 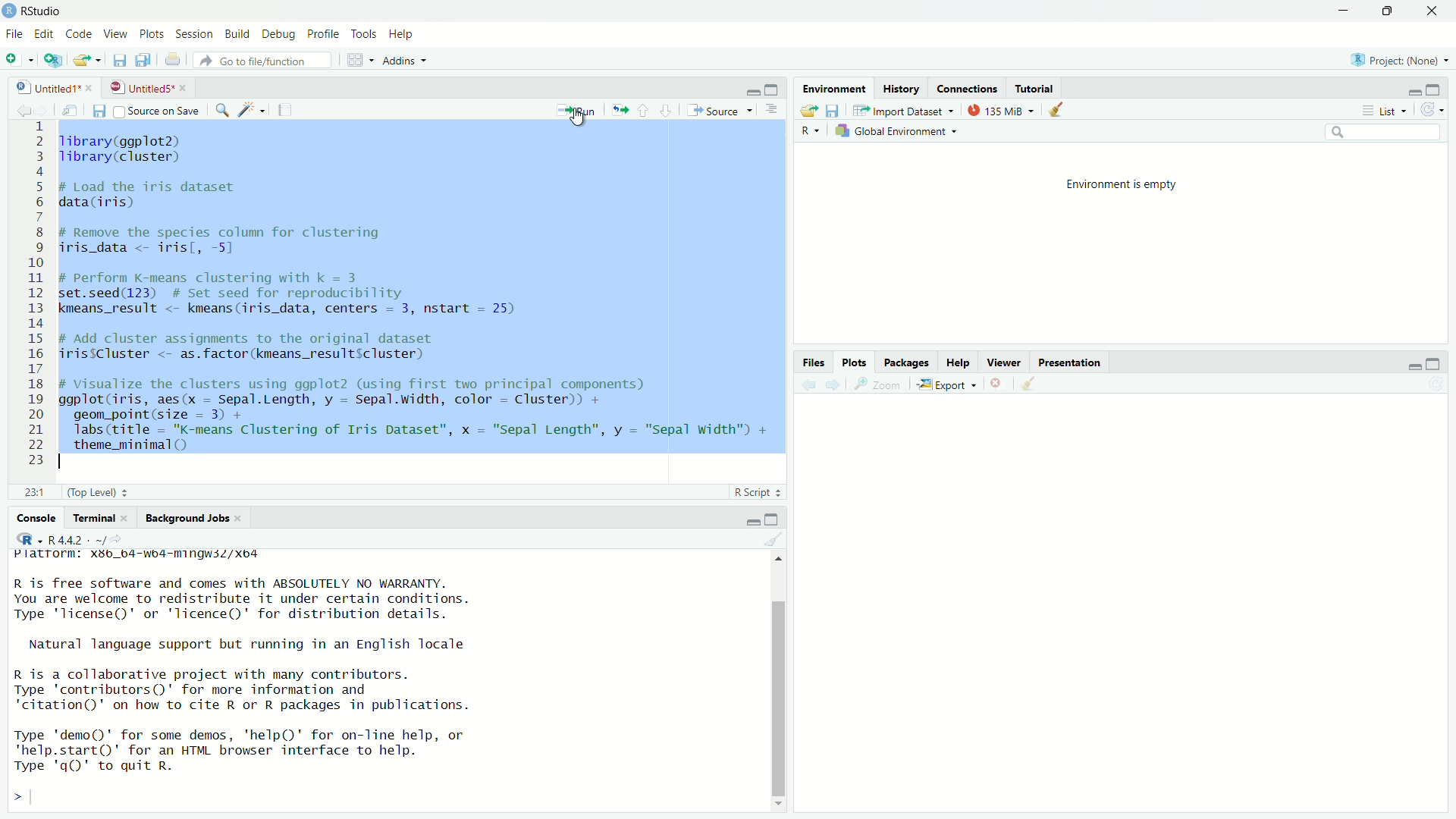 What do you see at coordinates (780, 809) in the screenshot?
I see `move down` at bounding box center [780, 809].